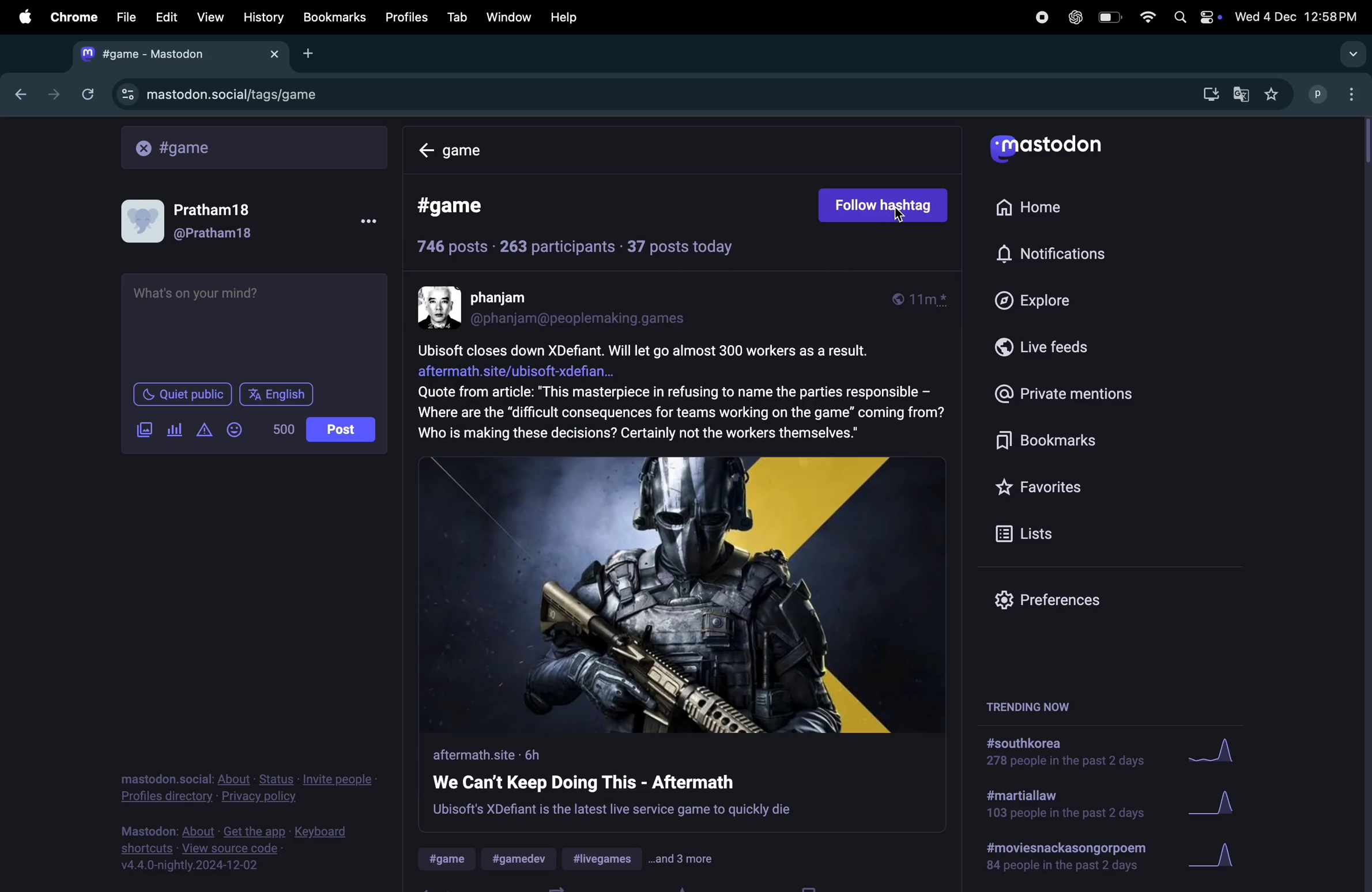 This screenshot has height=892, width=1372. Describe the element at coordinates (142, 429) in the screenshot. I see `add image` at that location.